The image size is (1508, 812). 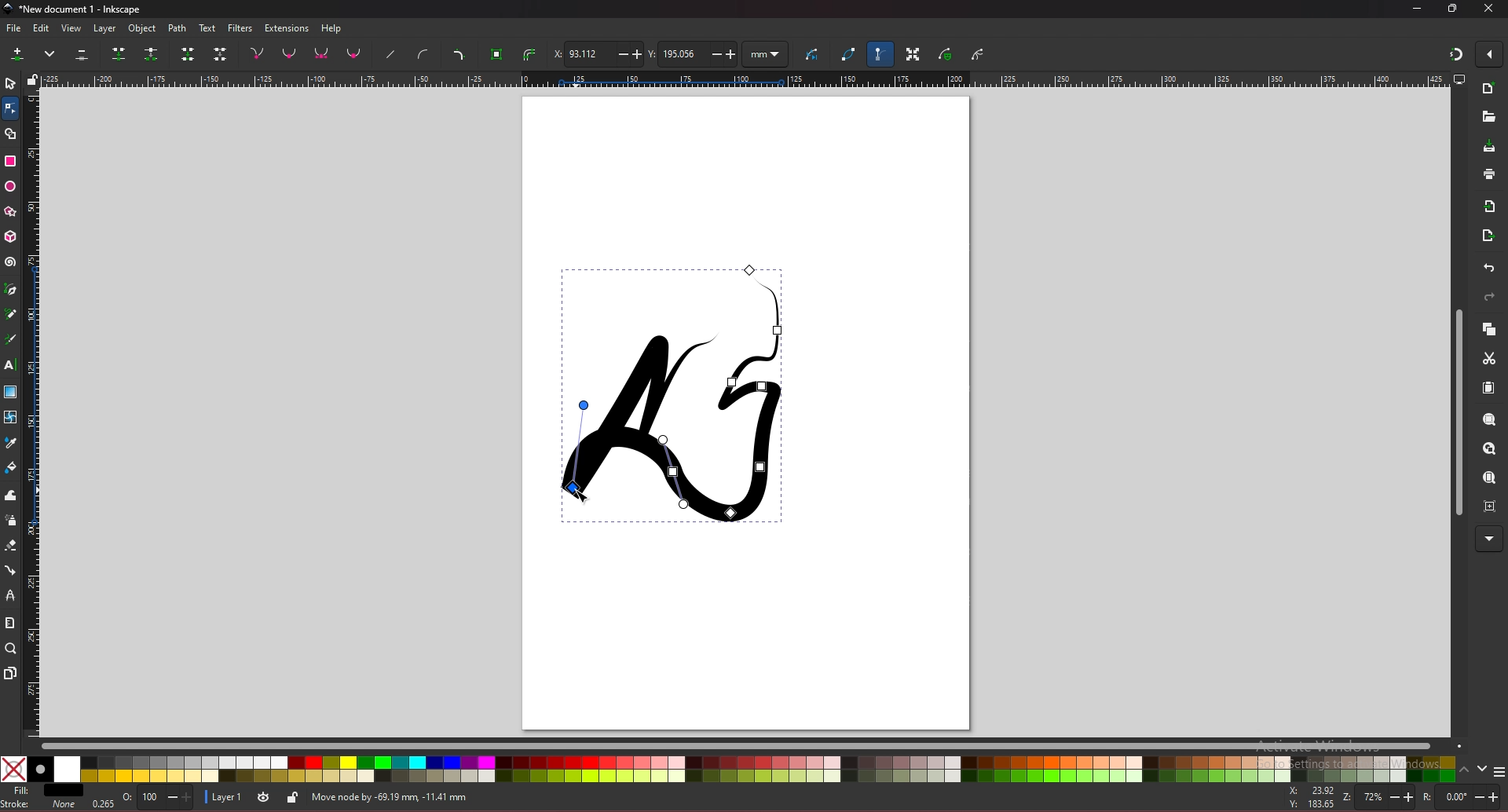 What do you see at coordinates (529, 54) in the screenshot?
I see `stroke to path` at bounding box center [529, 54].